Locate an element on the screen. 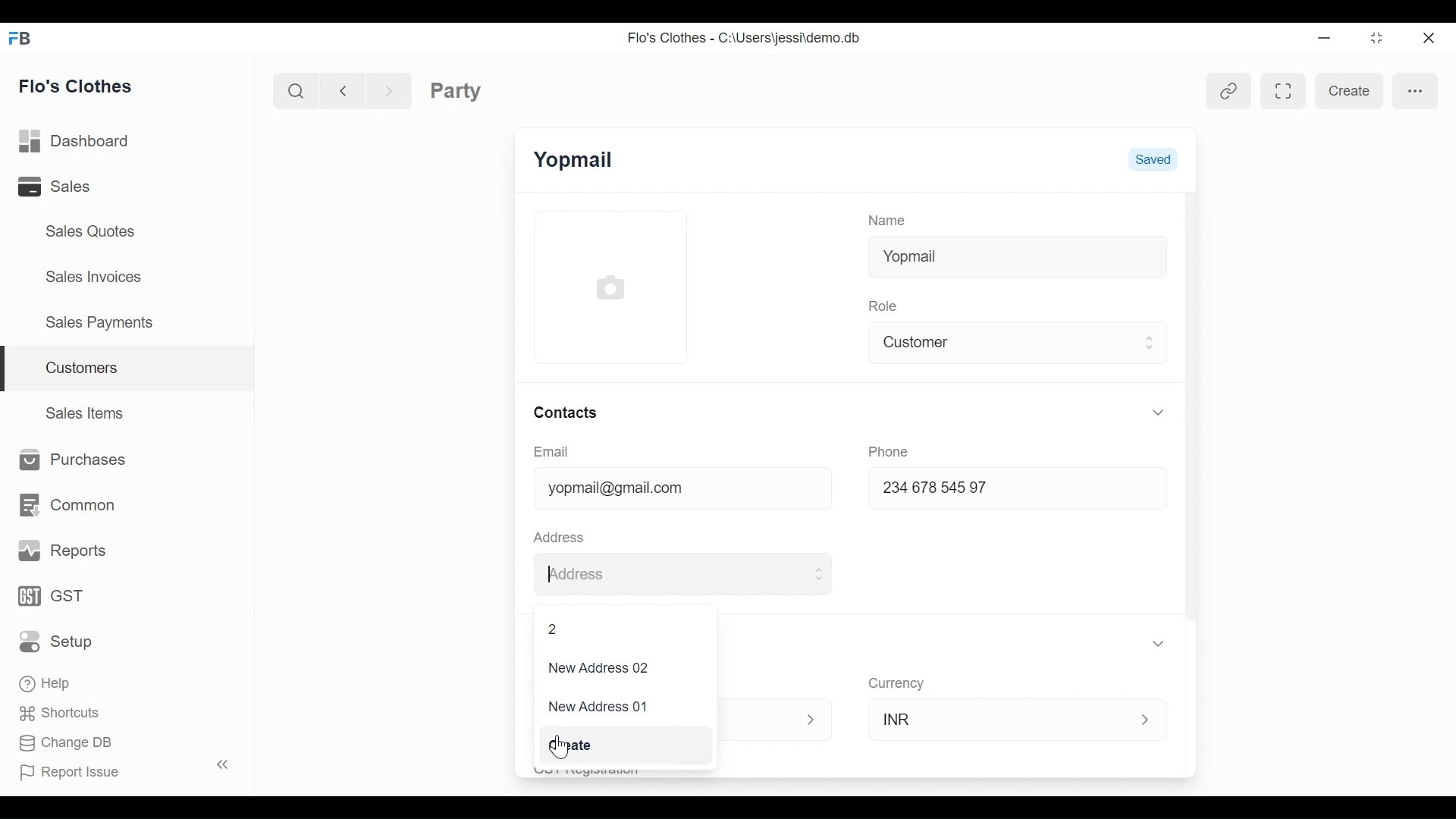 The image size is (1456, 819). Name is located at coordinates (889, 221).